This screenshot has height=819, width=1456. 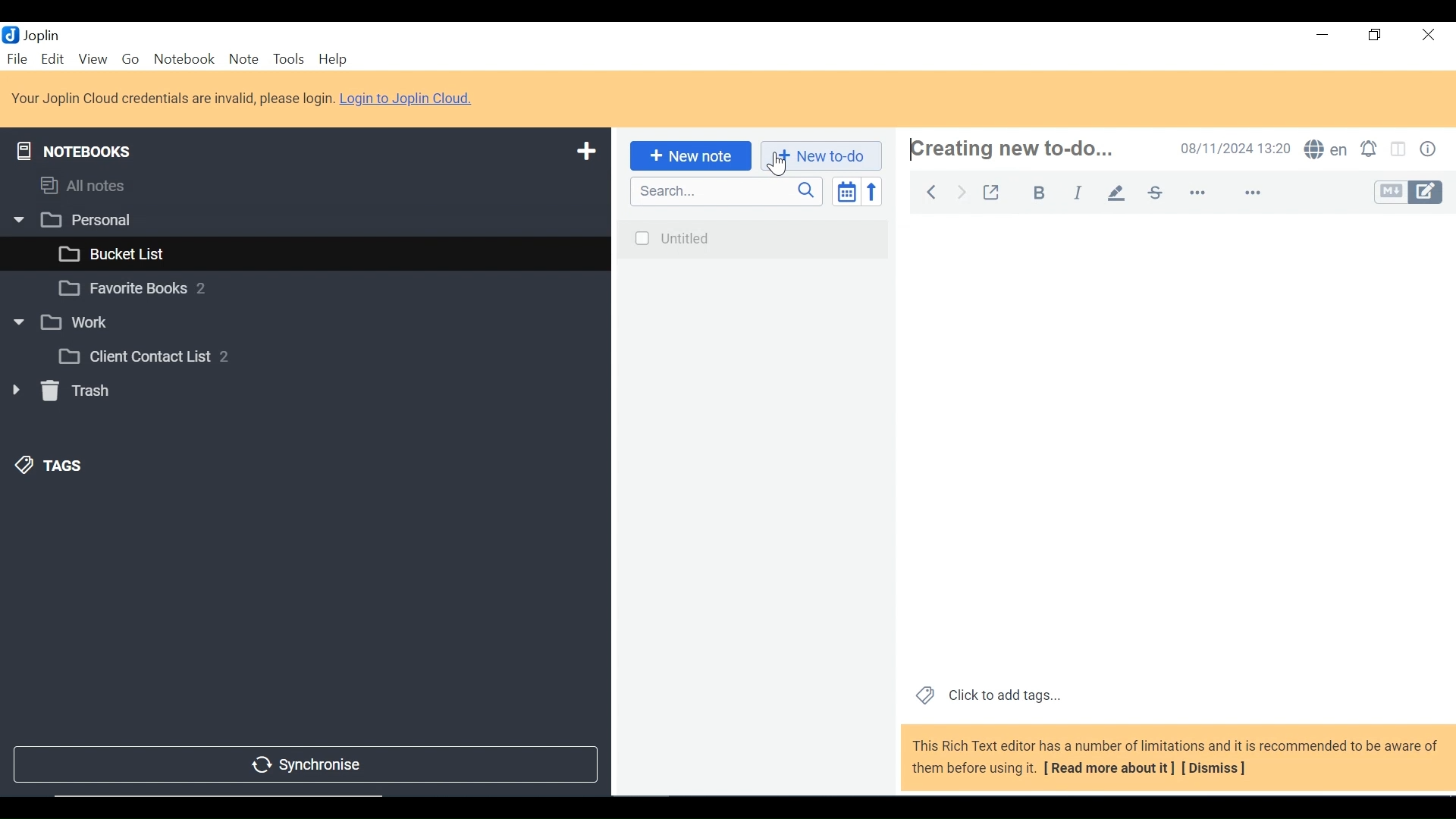 I want to click on Spell Checker, so click(x=1328, y=150).